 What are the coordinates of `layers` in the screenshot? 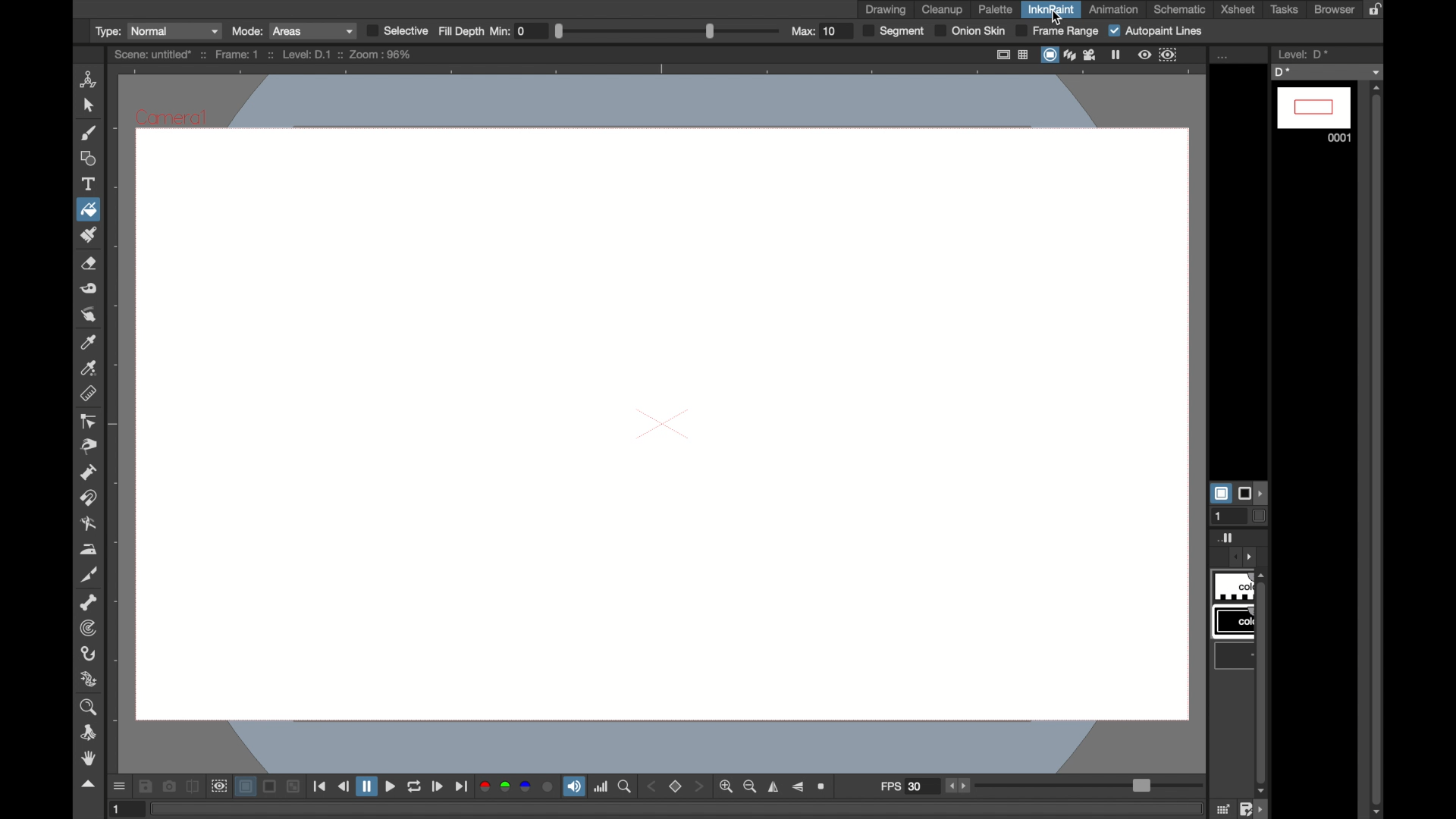 It's located at (1068, 54).